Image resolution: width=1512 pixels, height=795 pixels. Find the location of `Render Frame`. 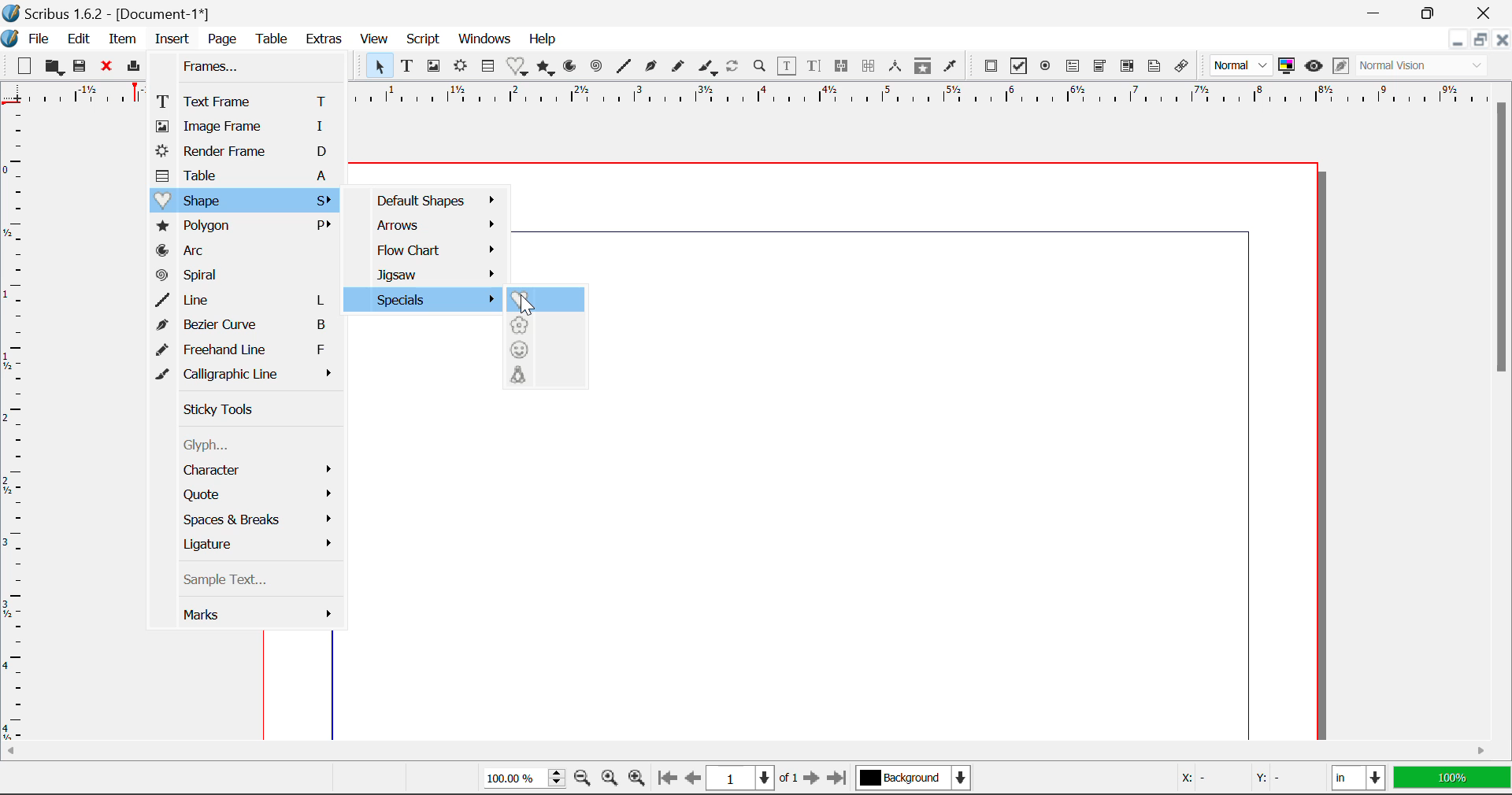

Render Frame is located at coordinates (461, 67).